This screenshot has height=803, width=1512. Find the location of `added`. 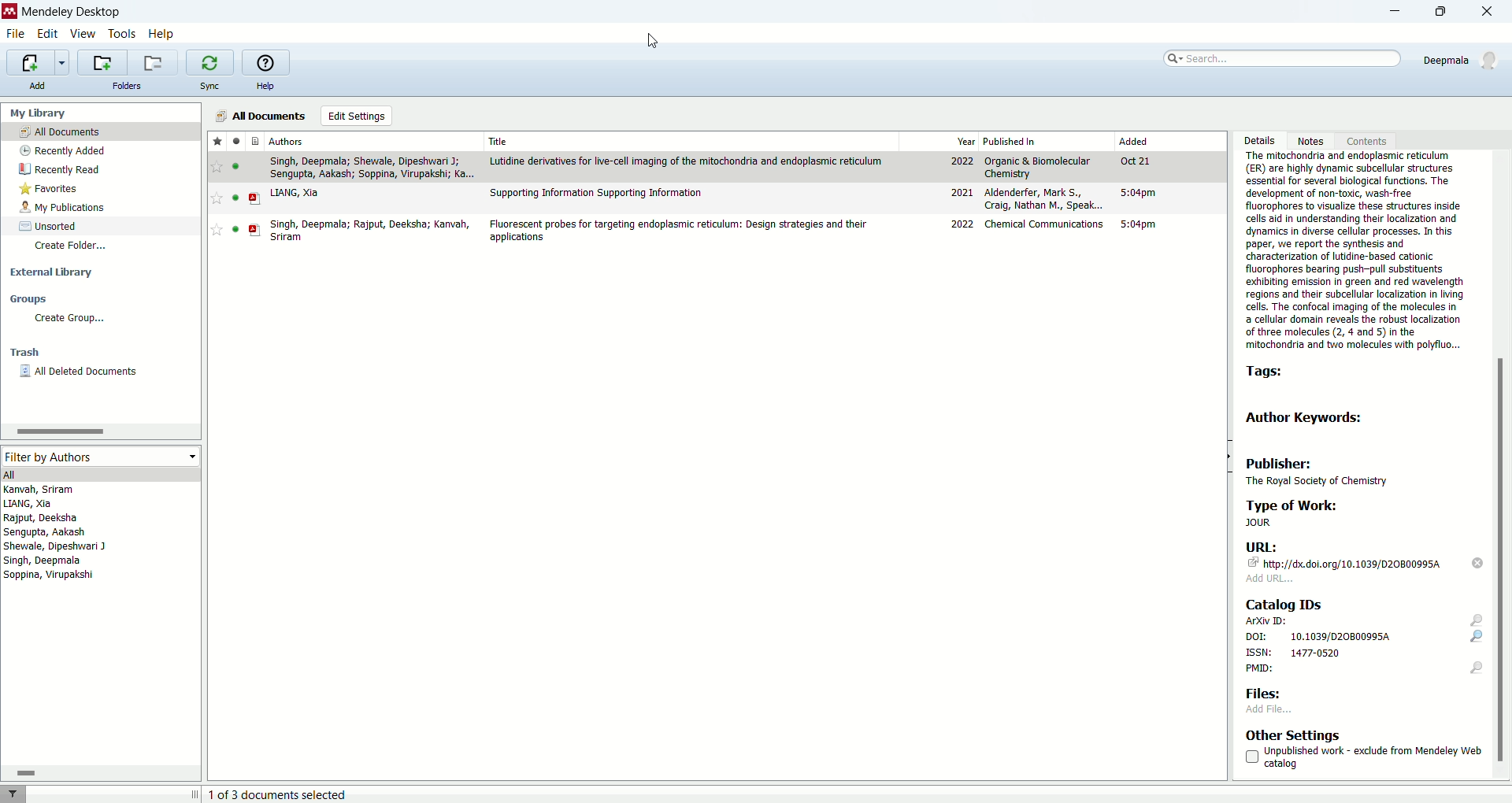

added is located at coordinates (1134, 140).